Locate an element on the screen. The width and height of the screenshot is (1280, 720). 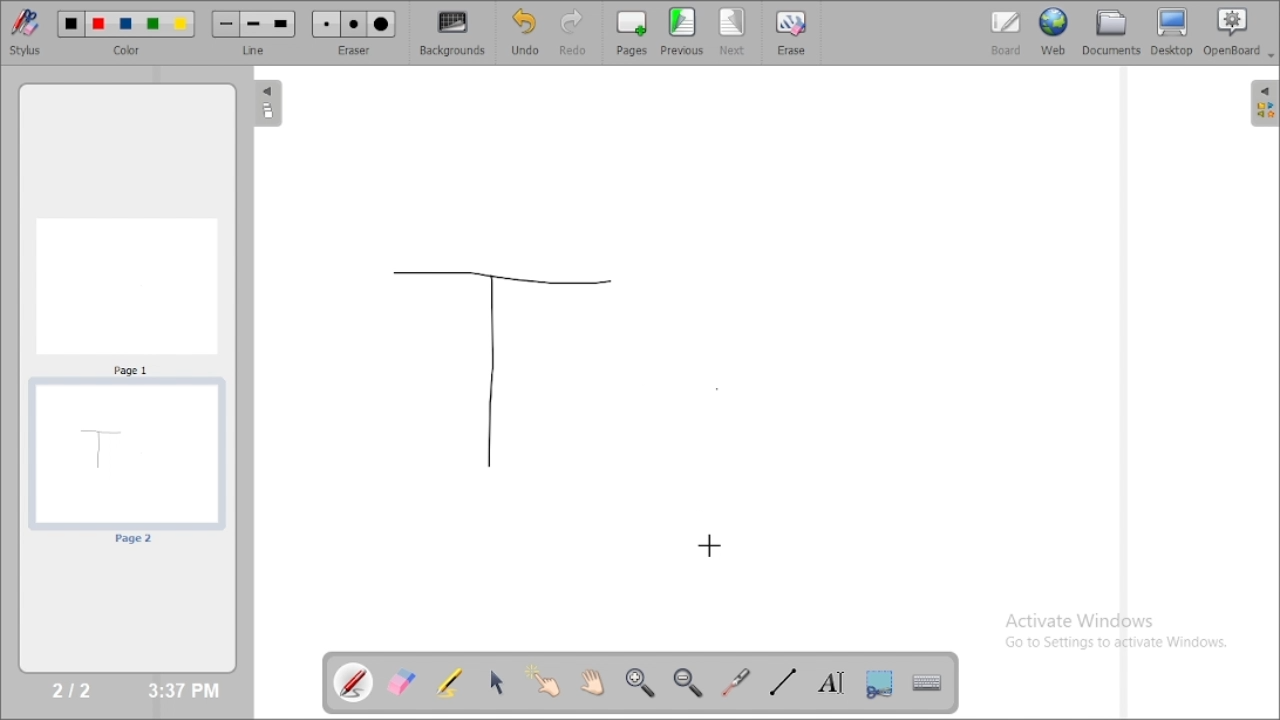
cursor is located at coordinates (712, 545).